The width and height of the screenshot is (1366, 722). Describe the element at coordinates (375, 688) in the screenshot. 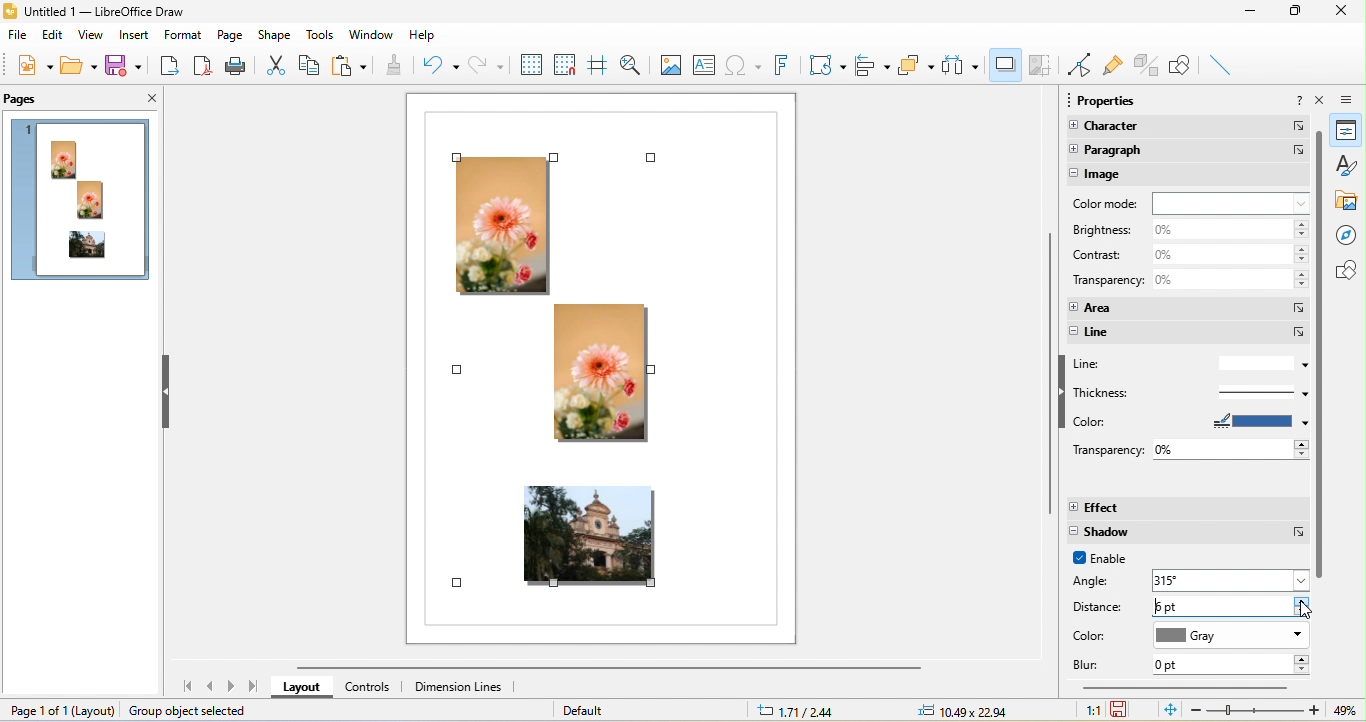

I see `controls` at that location.